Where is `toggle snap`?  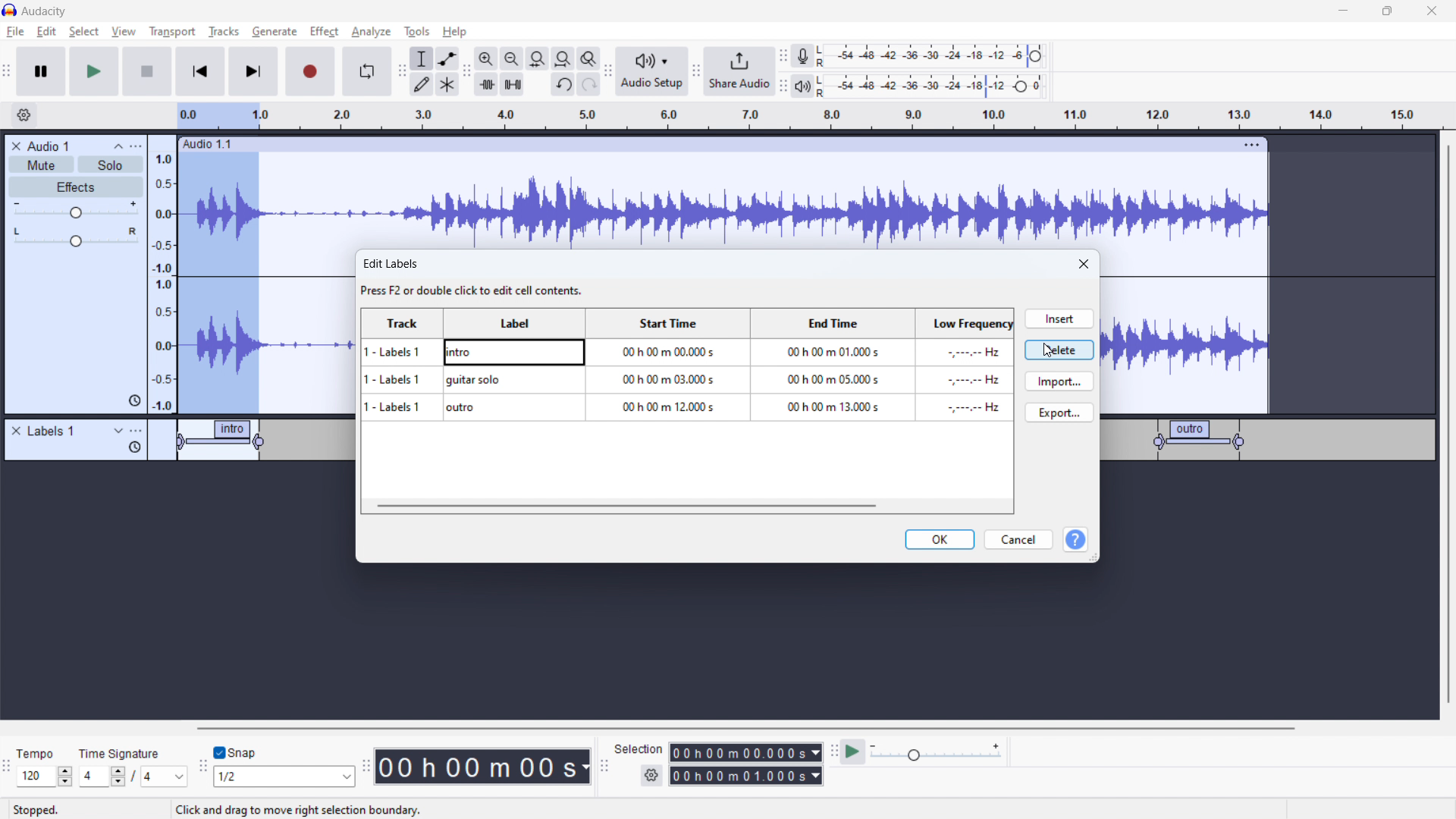
toggle snap is located at coordinates (236, 753).